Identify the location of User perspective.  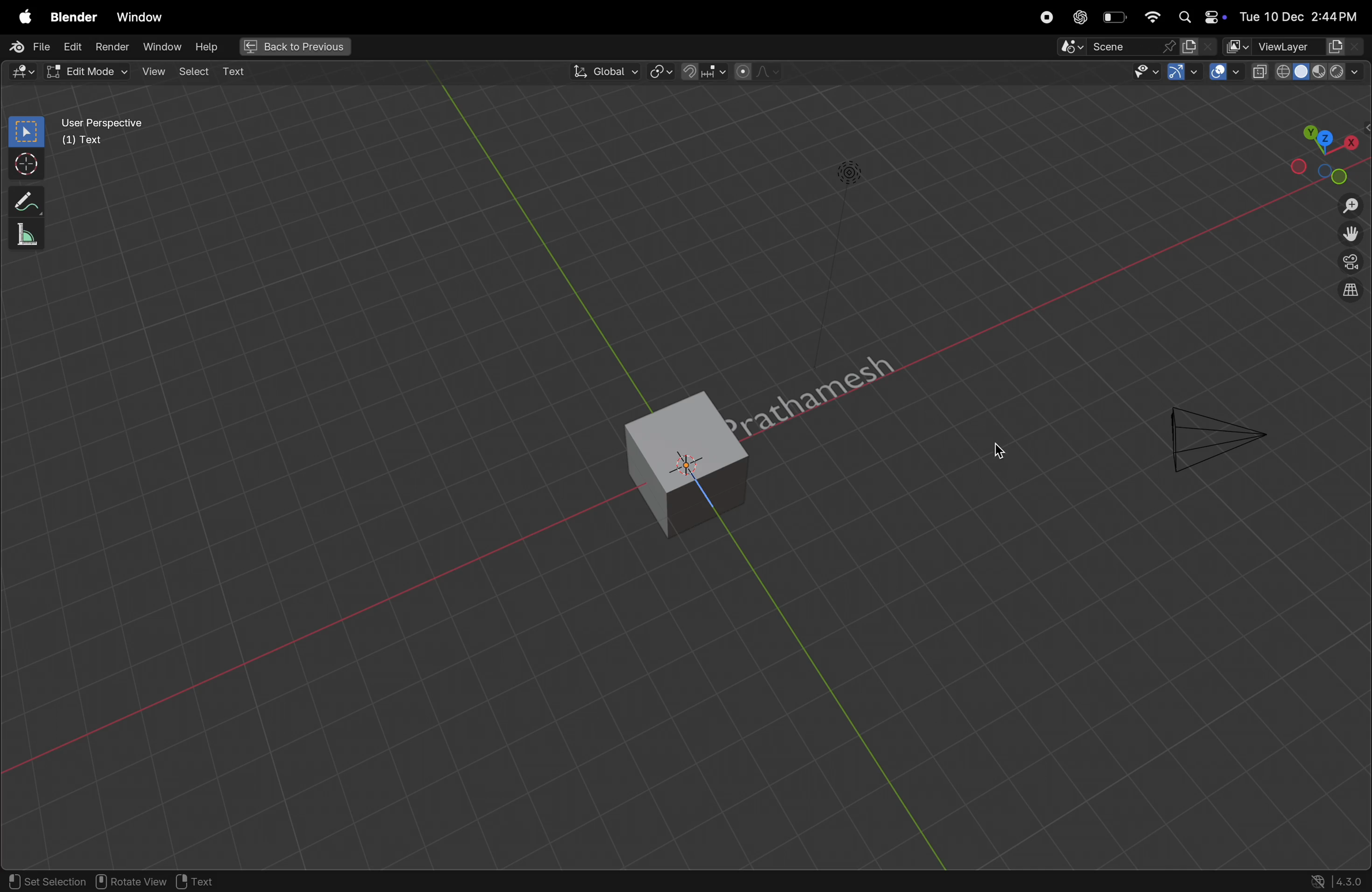
(128, 137).